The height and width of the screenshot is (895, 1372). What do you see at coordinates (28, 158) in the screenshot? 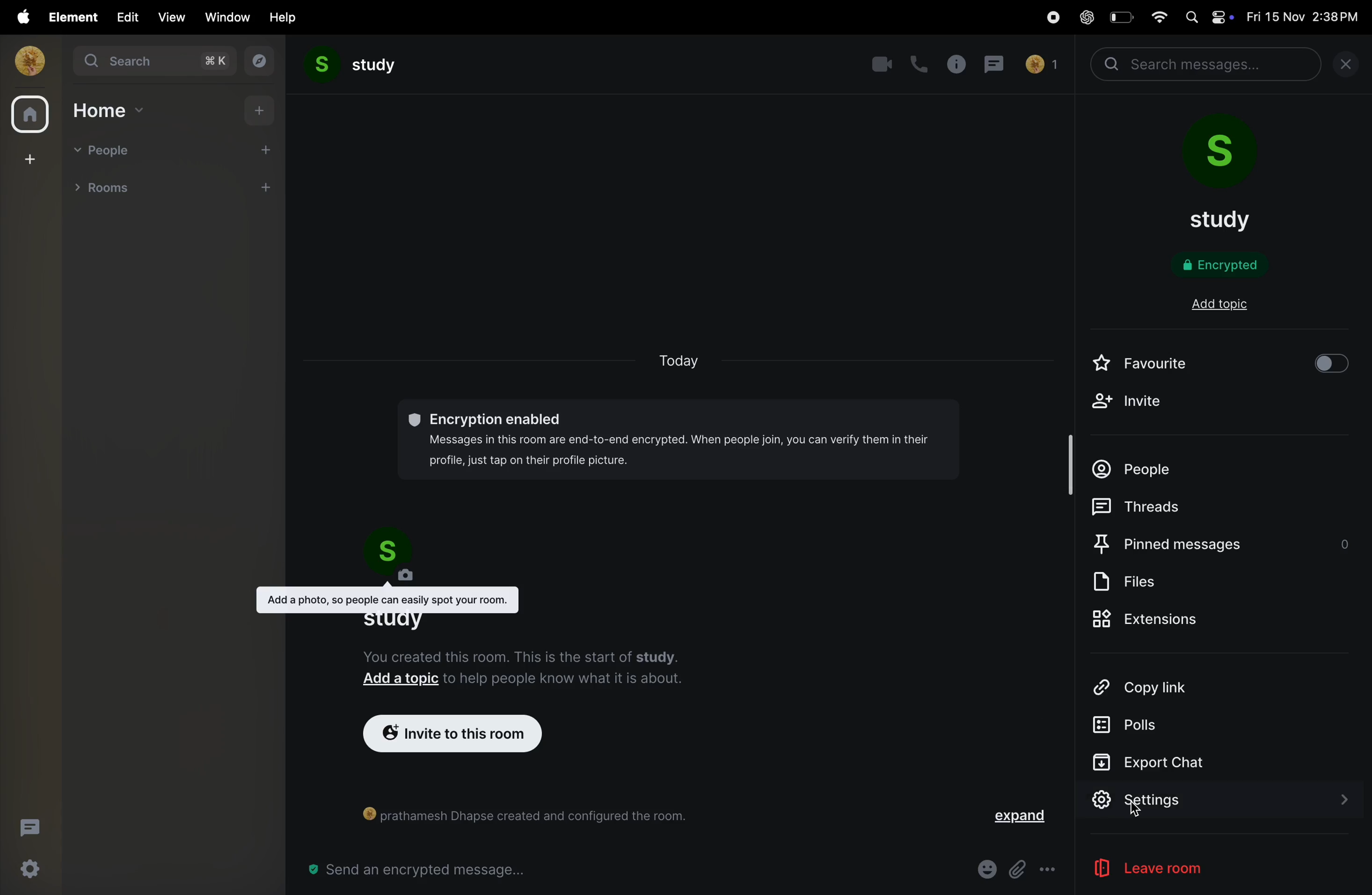
I see `create space` at bounding box center [28, 158].